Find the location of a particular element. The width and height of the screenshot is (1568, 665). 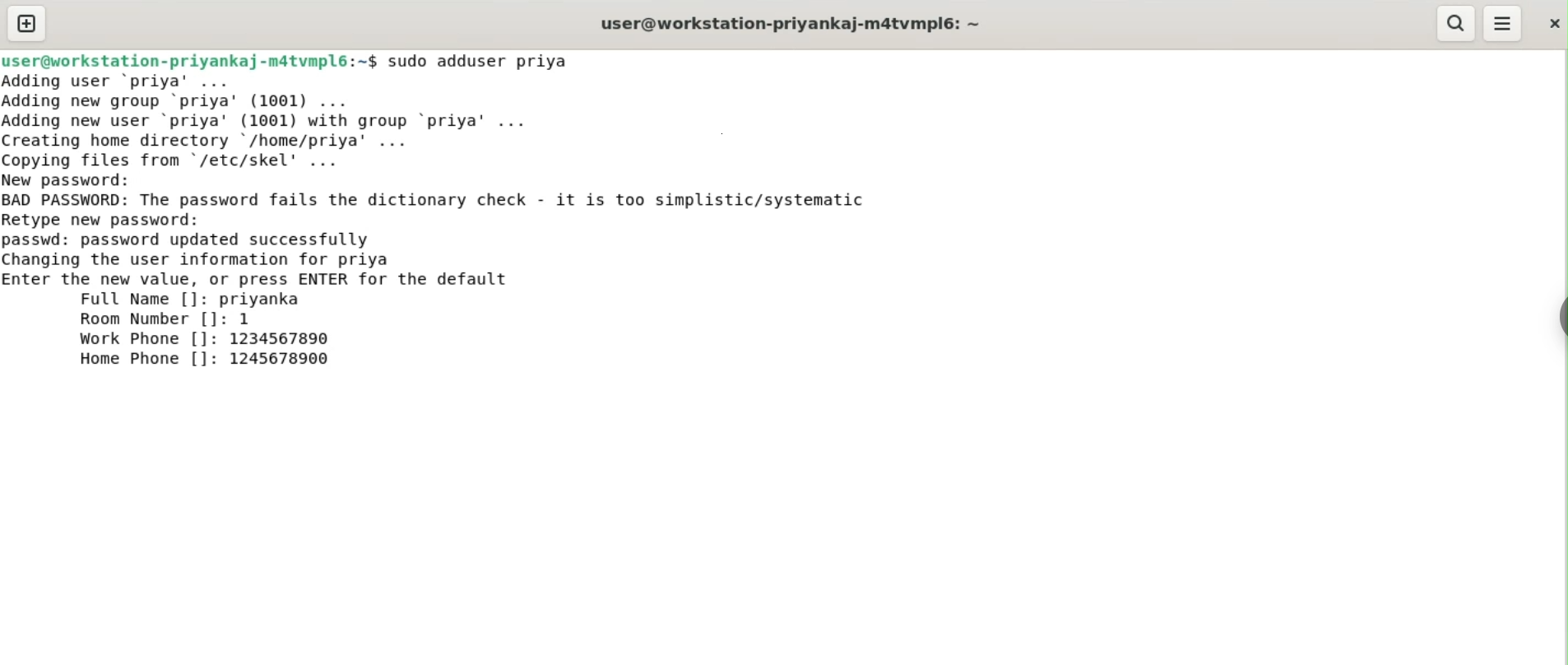

new password is located at coordinates (79, 179).